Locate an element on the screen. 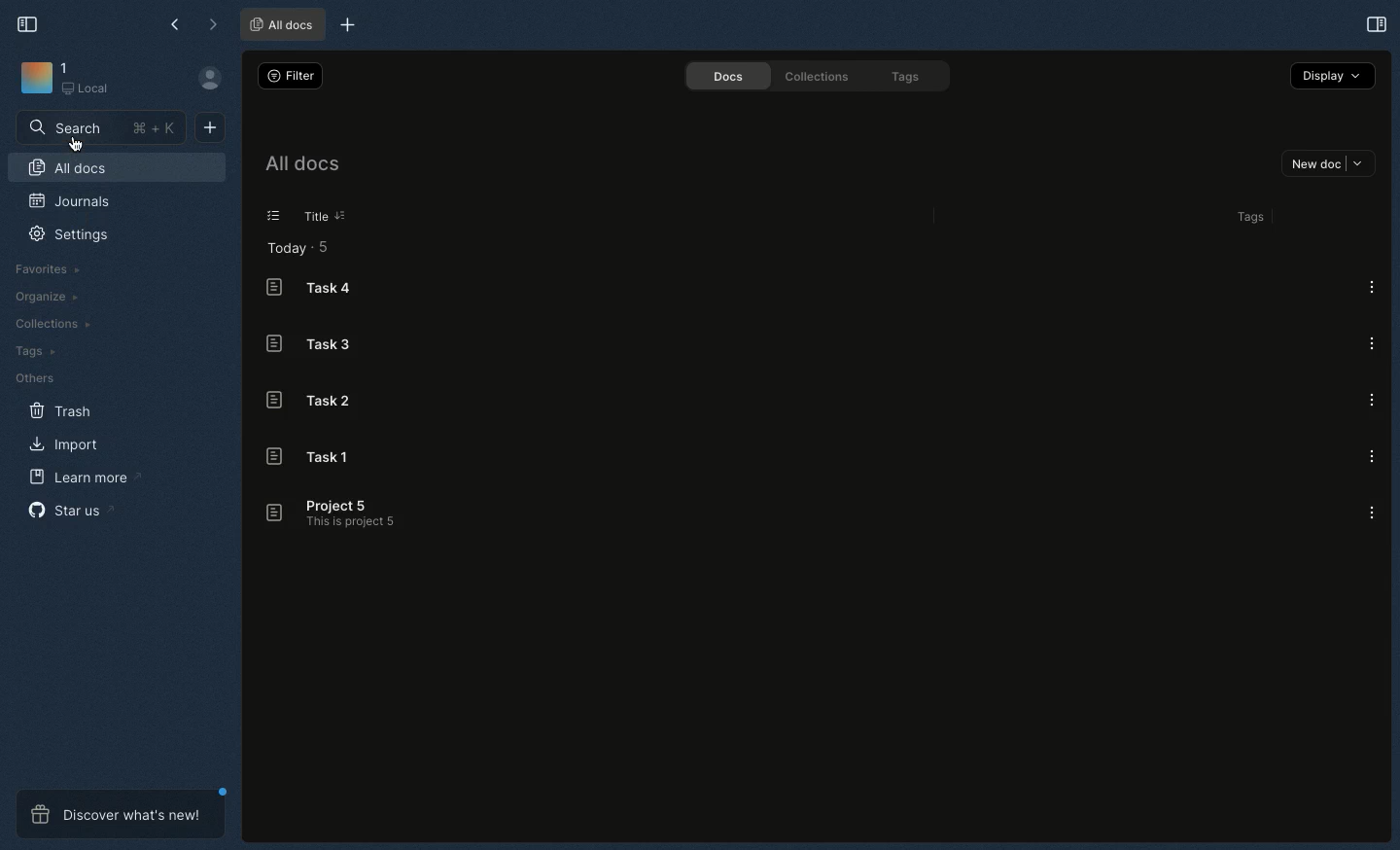 This screenshot has width=1400, height=850. Journals is located at coordinates (66, 201).